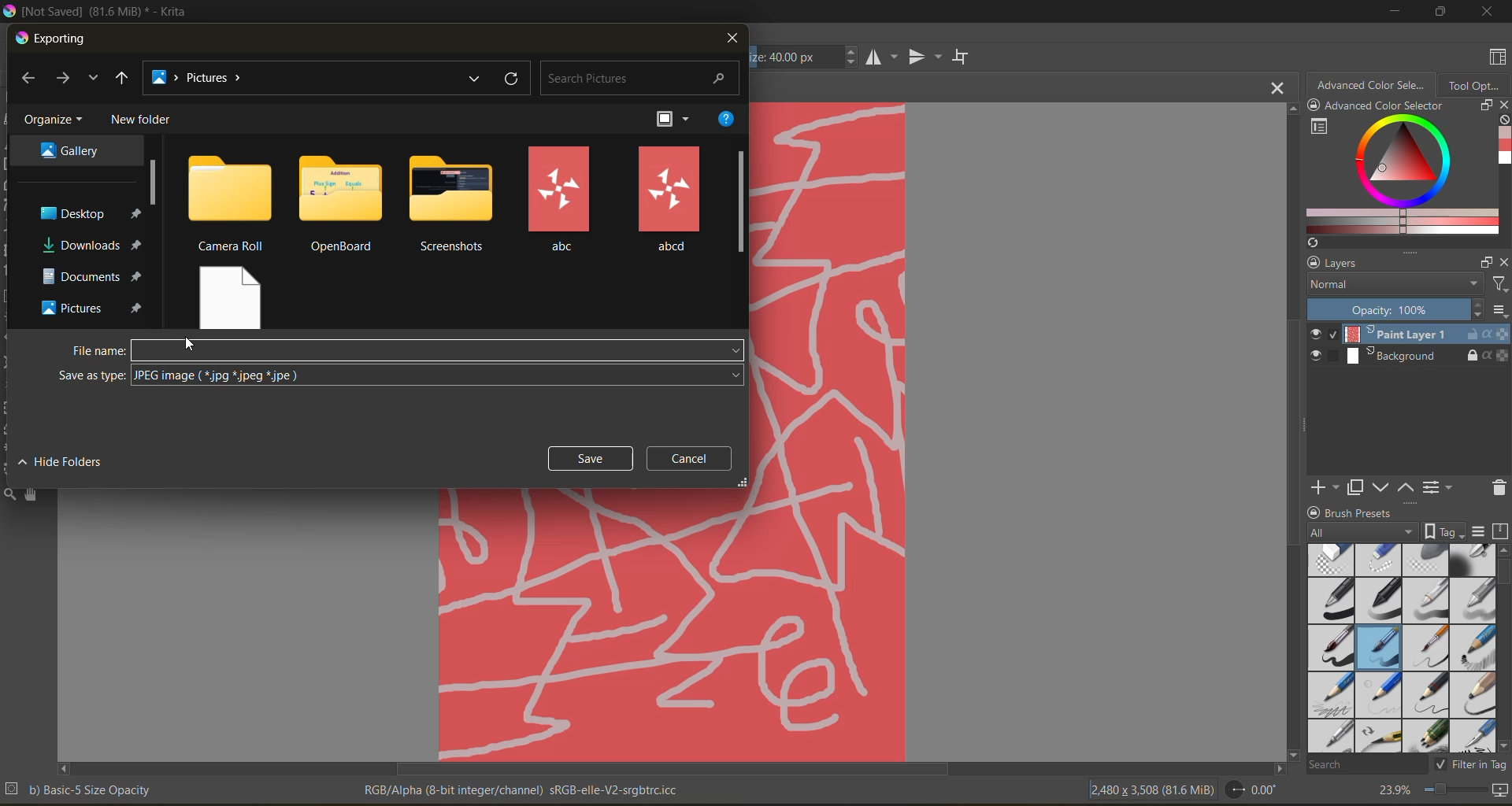  I want to click on folder destination, so click(93, 276).